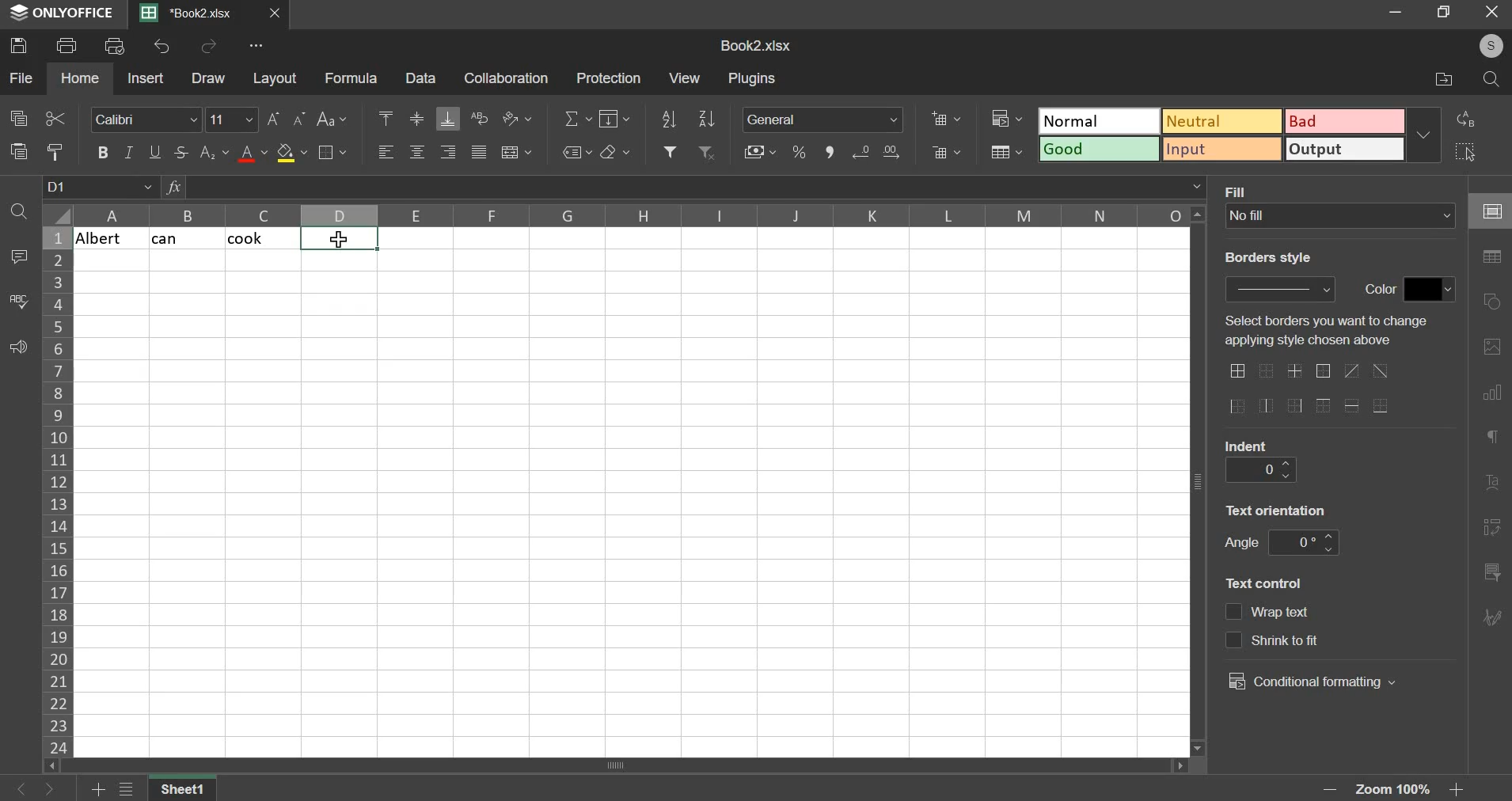 This screenshot has height=801, width=1512. I want to click on border style, so click(1278, 287).